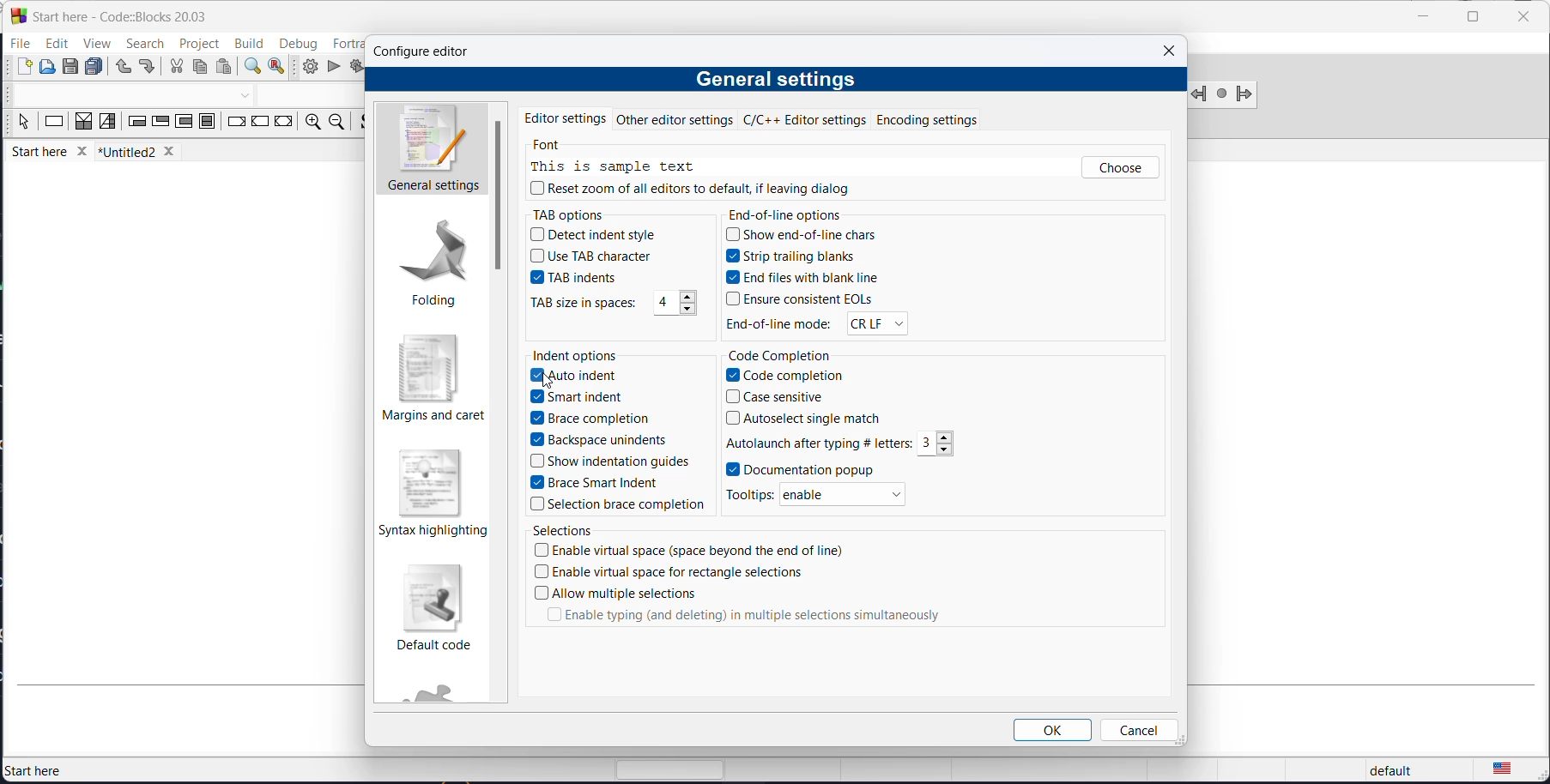  I want to click on copy, so click(199, 69).